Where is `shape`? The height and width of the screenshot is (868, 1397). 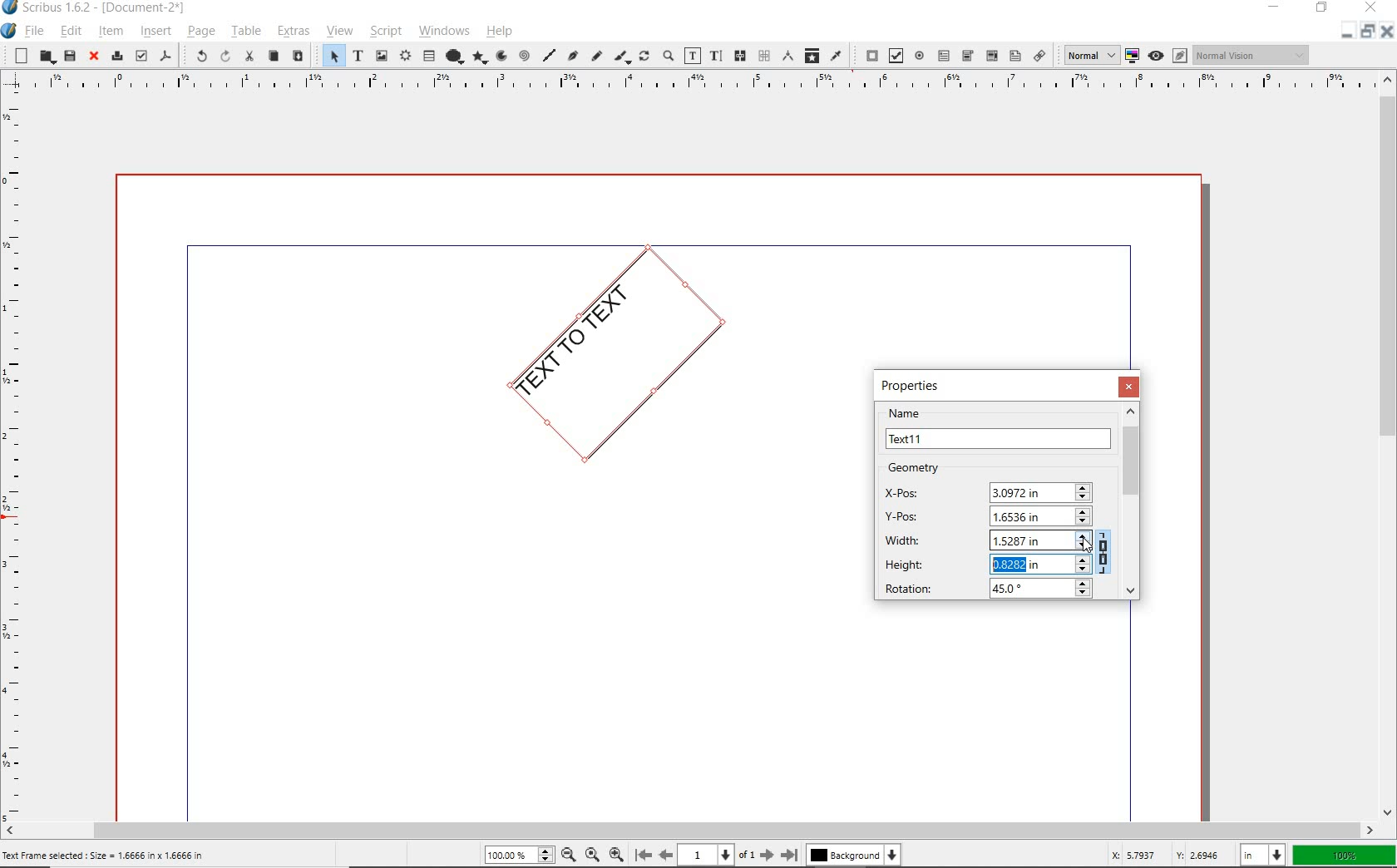
shape is located at coordinates (454, 55).